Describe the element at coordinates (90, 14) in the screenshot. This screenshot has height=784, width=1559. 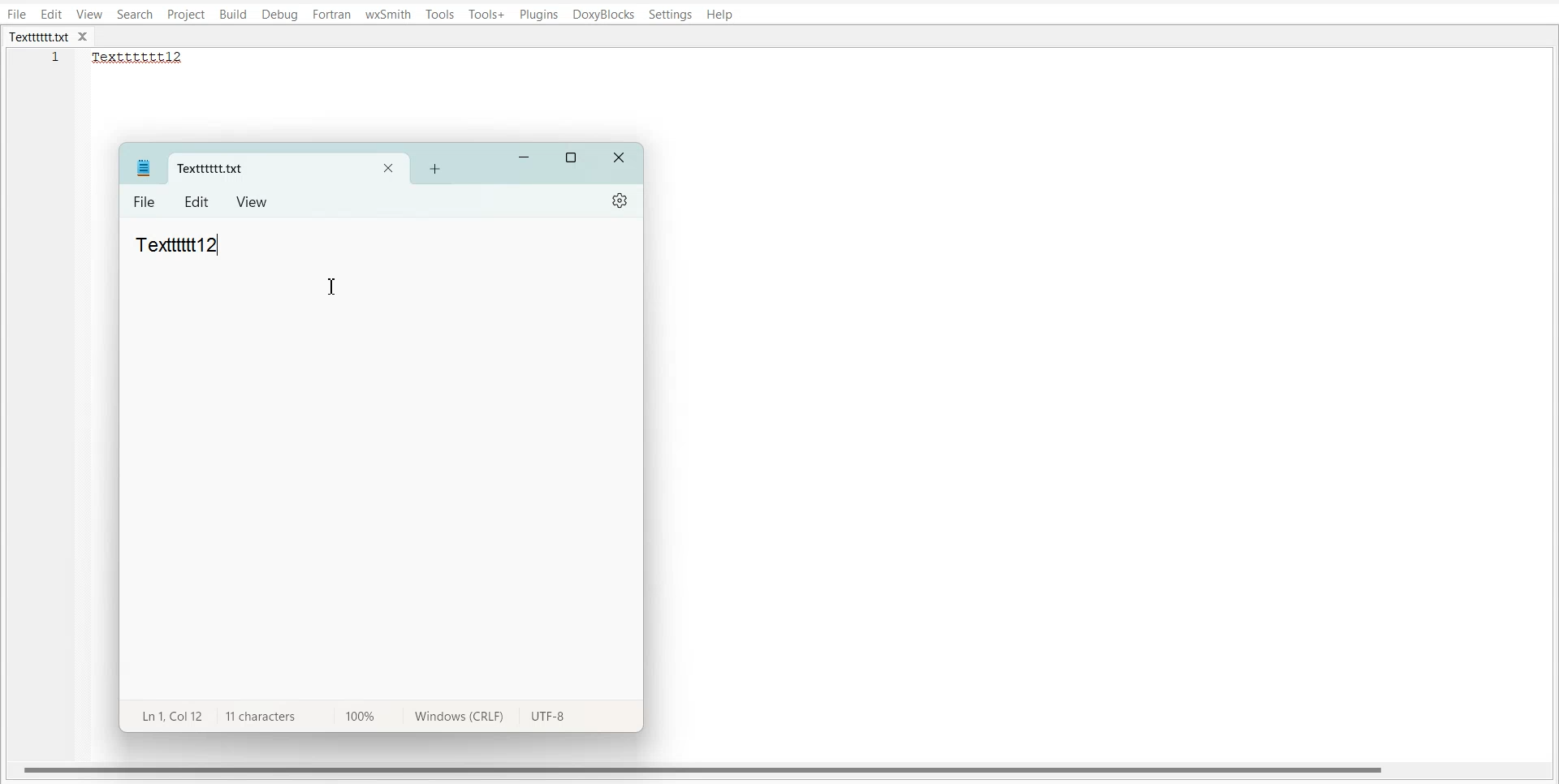
I see `View` at that location.